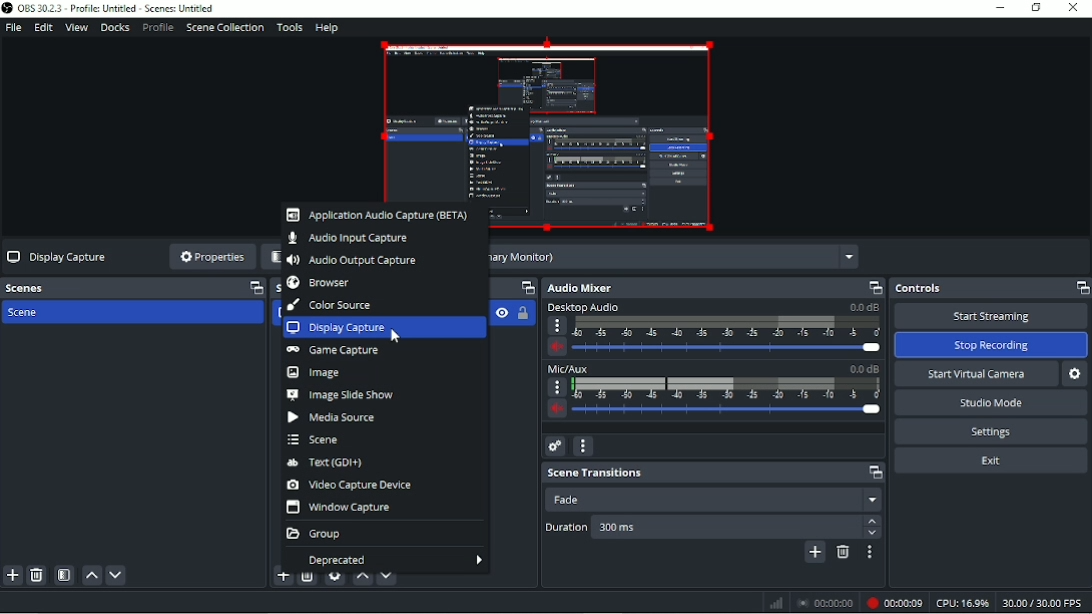  What do you see at coordinates (76, 28) in the screenshot?
I see `View` at bounding box center [76, 28].